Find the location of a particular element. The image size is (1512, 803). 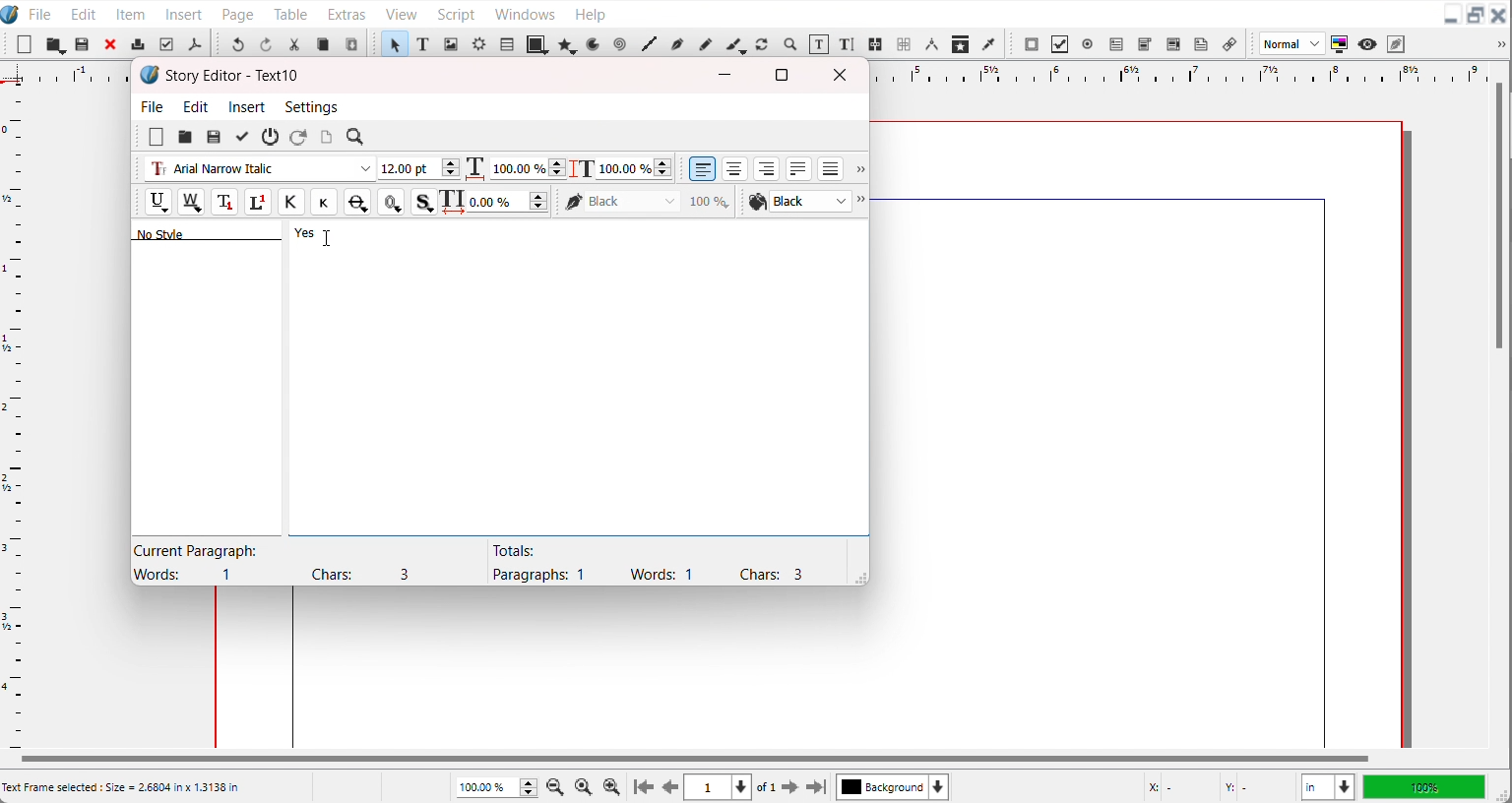

Search/Replace is located at coordinates (357, 138).